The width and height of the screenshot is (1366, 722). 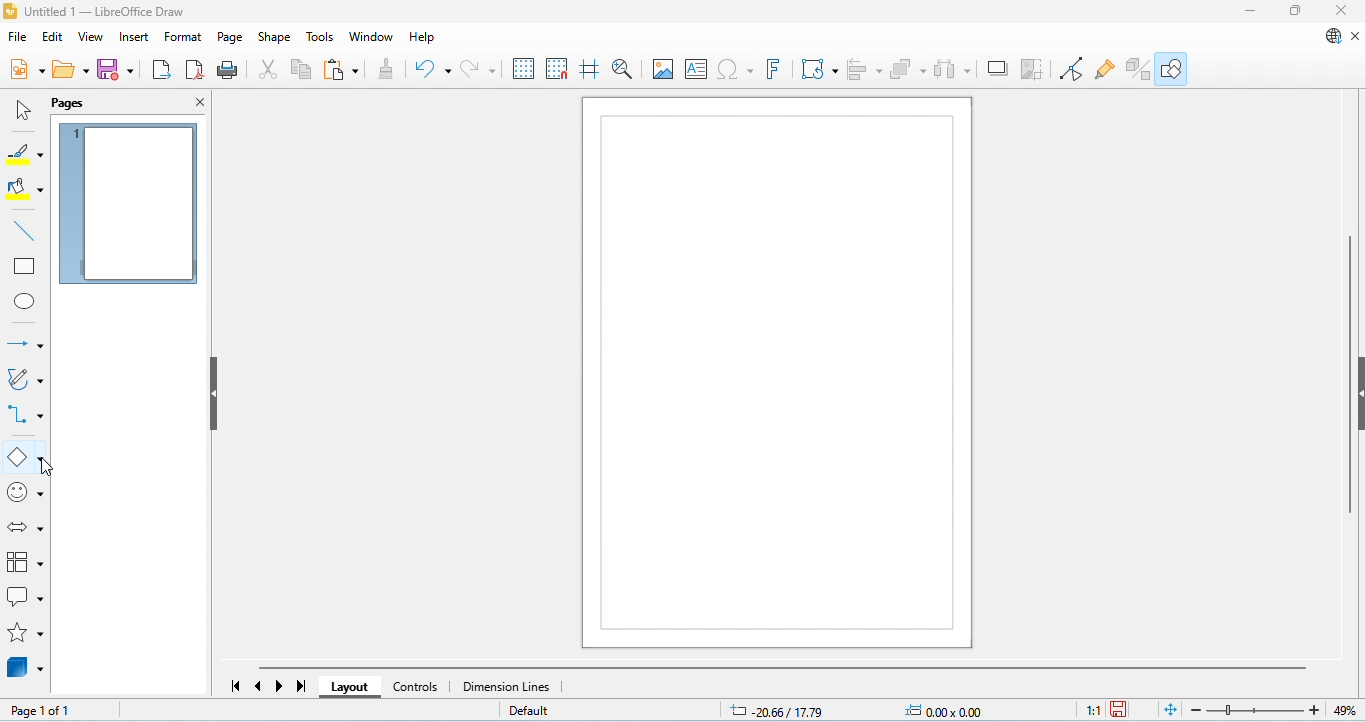 What do you see at coordinates (783, 711) in the screenshot?
I see `cursor position` at bounding box center [783, 711].